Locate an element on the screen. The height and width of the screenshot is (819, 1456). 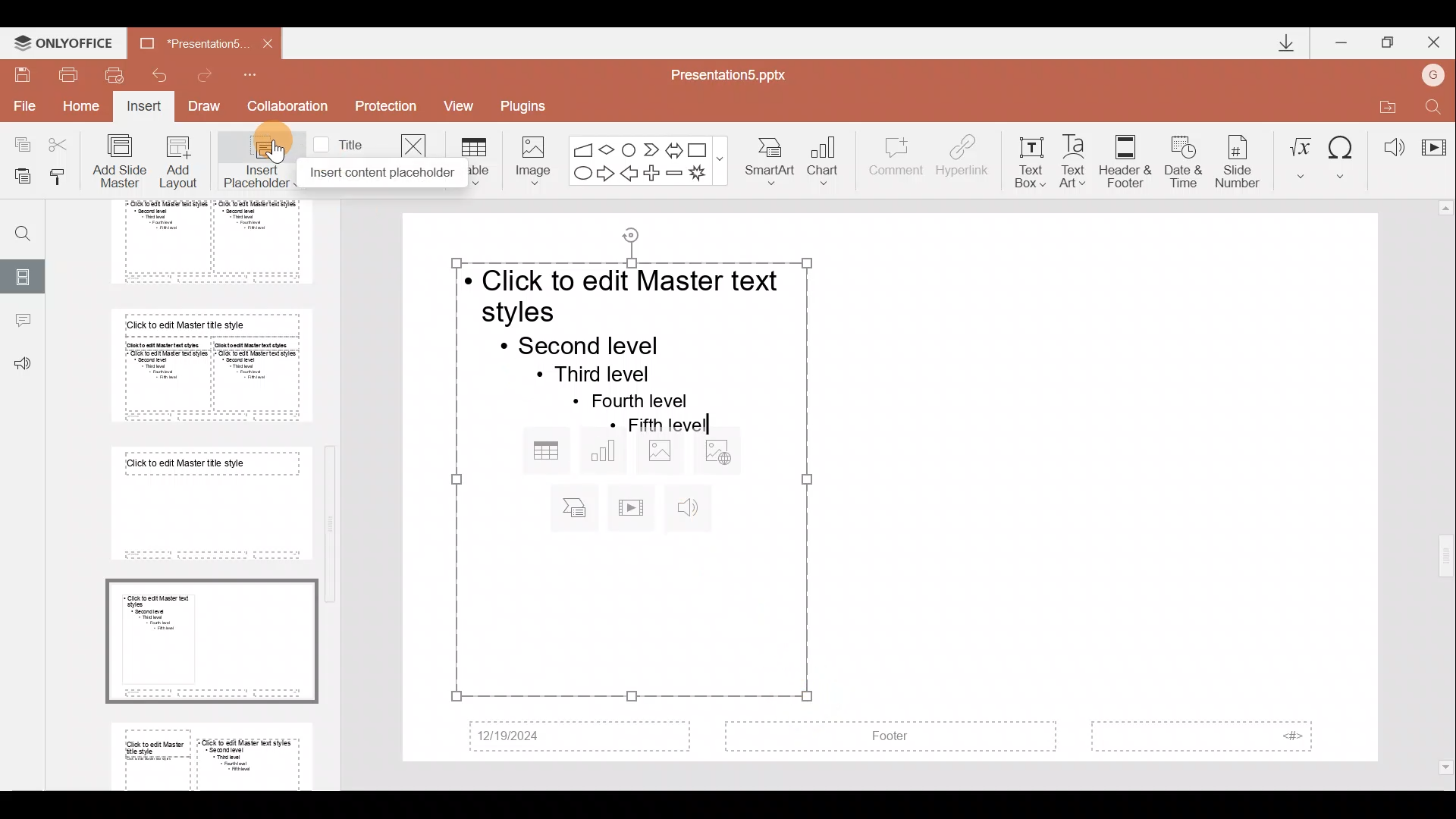
Collaboration is located at coordinates (287, 106).